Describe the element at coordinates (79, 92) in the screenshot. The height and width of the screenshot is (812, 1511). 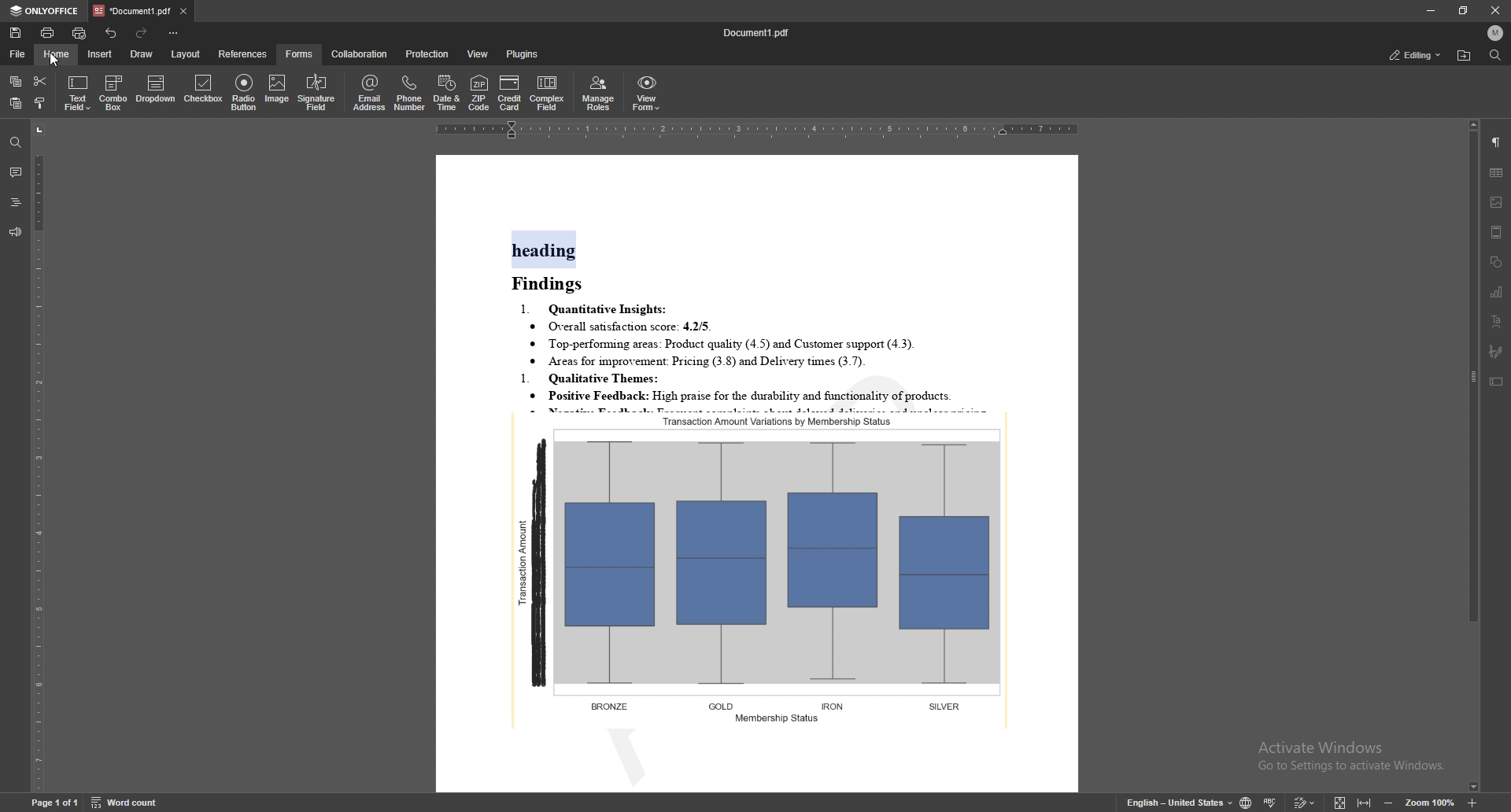
I see `text field` at that location.